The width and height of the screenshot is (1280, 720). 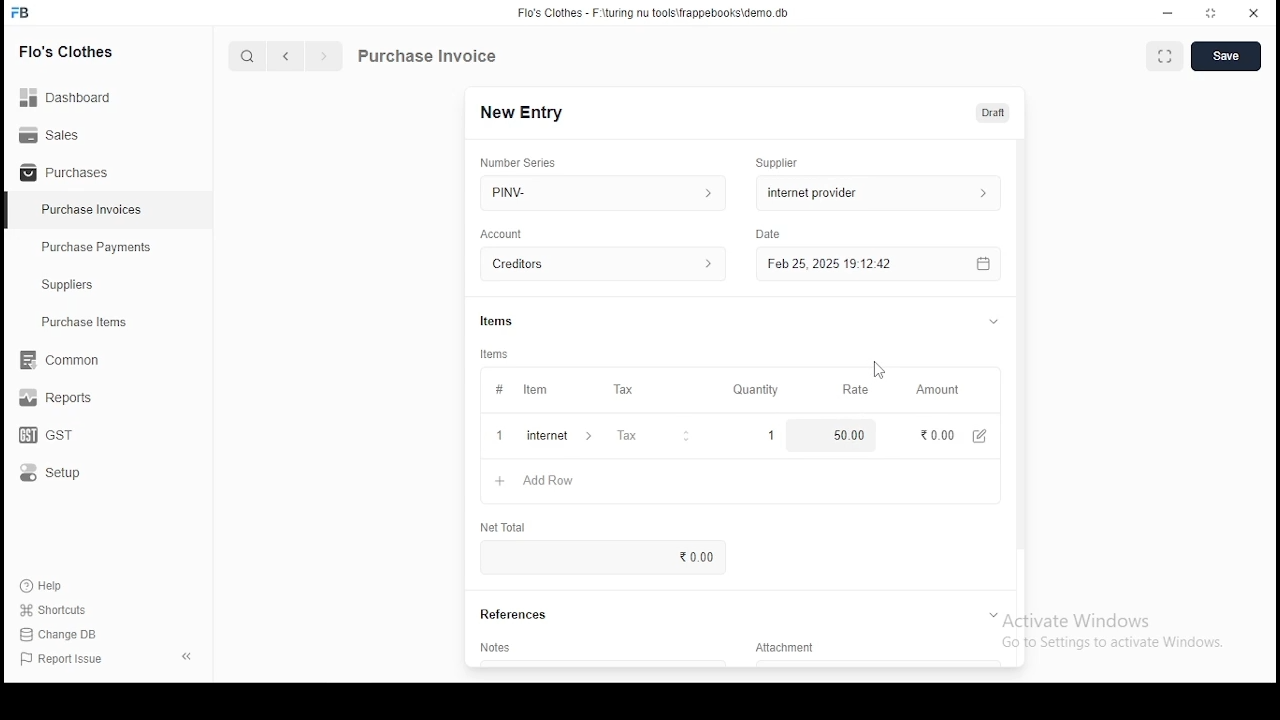 What do you see at coordinates (69, 51) in the screenshot?
I see `flo's clothes` at bounding box center [69, 51].